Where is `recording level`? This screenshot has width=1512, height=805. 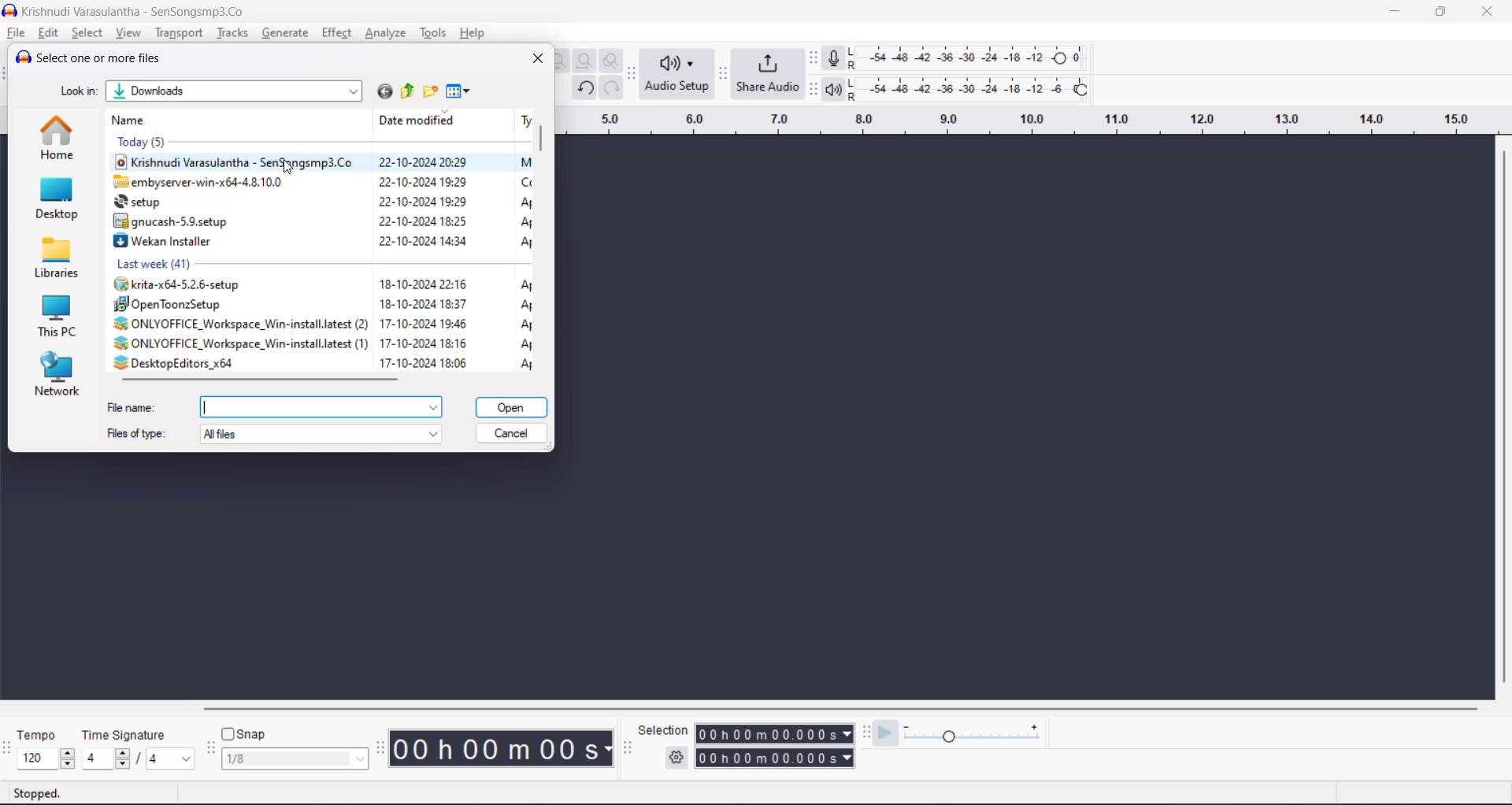 recording level is located at coordinates (977, 57).